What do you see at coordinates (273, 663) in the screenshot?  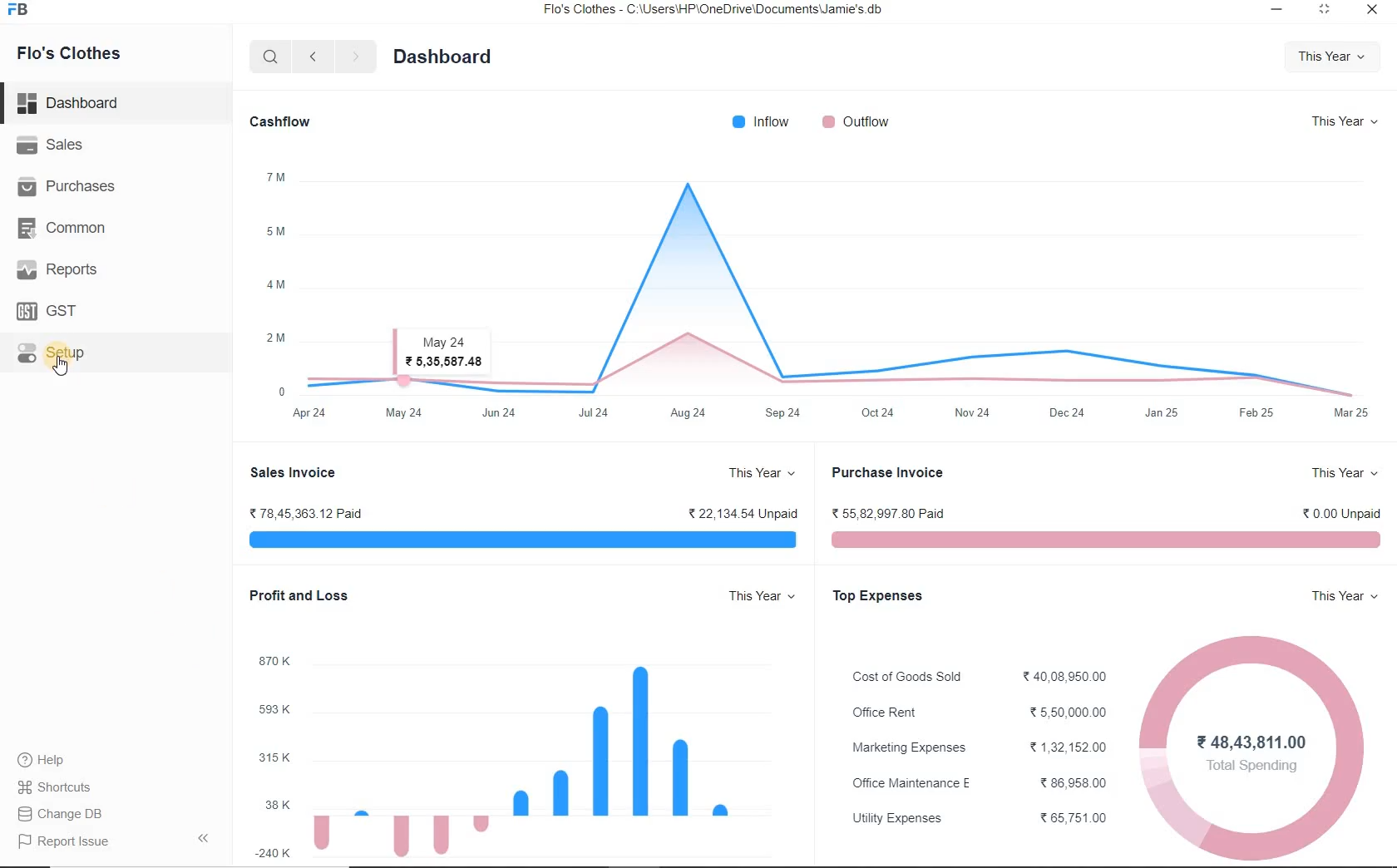 I see `870K` at bounding box center [273, 663].